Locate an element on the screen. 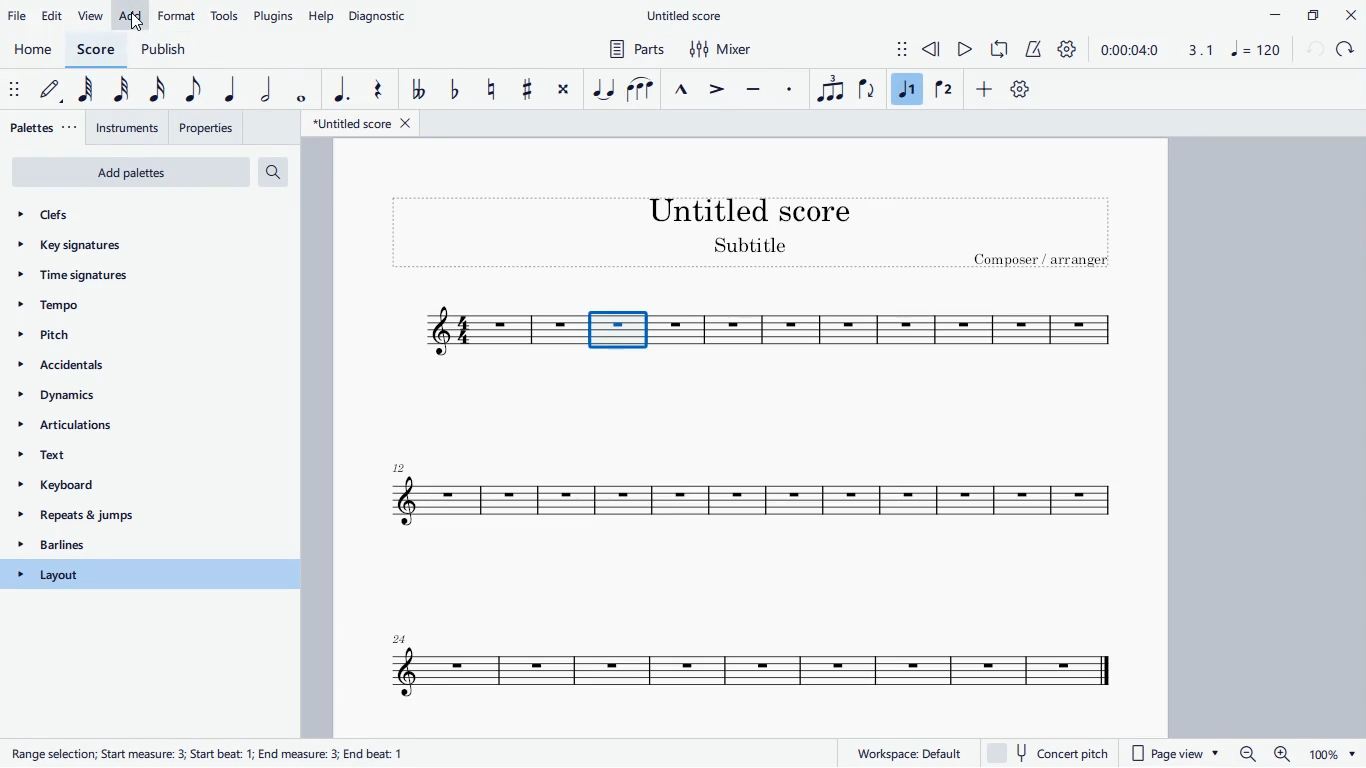 This screenshot has height=768, width=1366. barlines is located at coordinates (131, 547).